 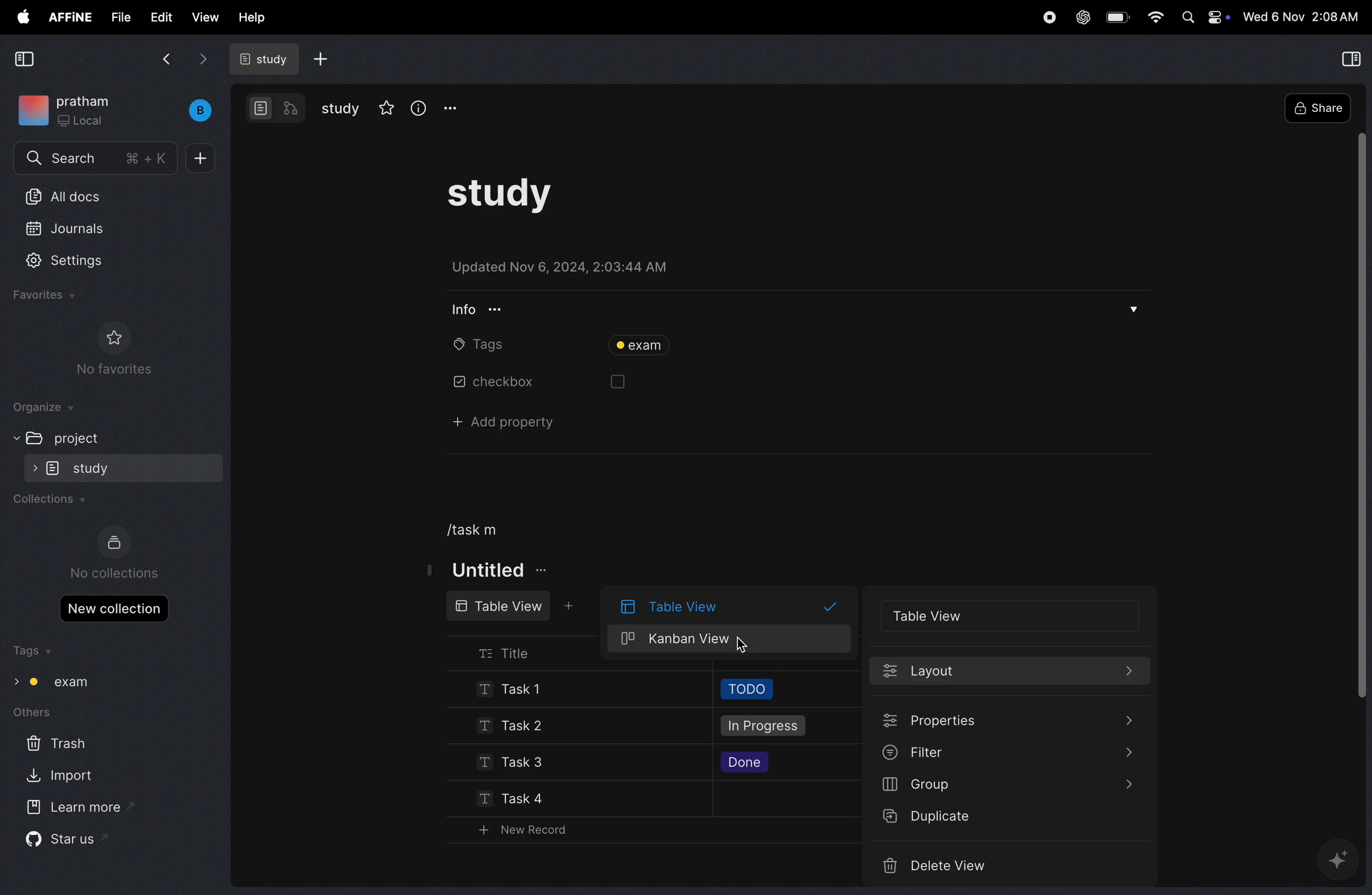 I want to click on file, so click(x=117, y=18).